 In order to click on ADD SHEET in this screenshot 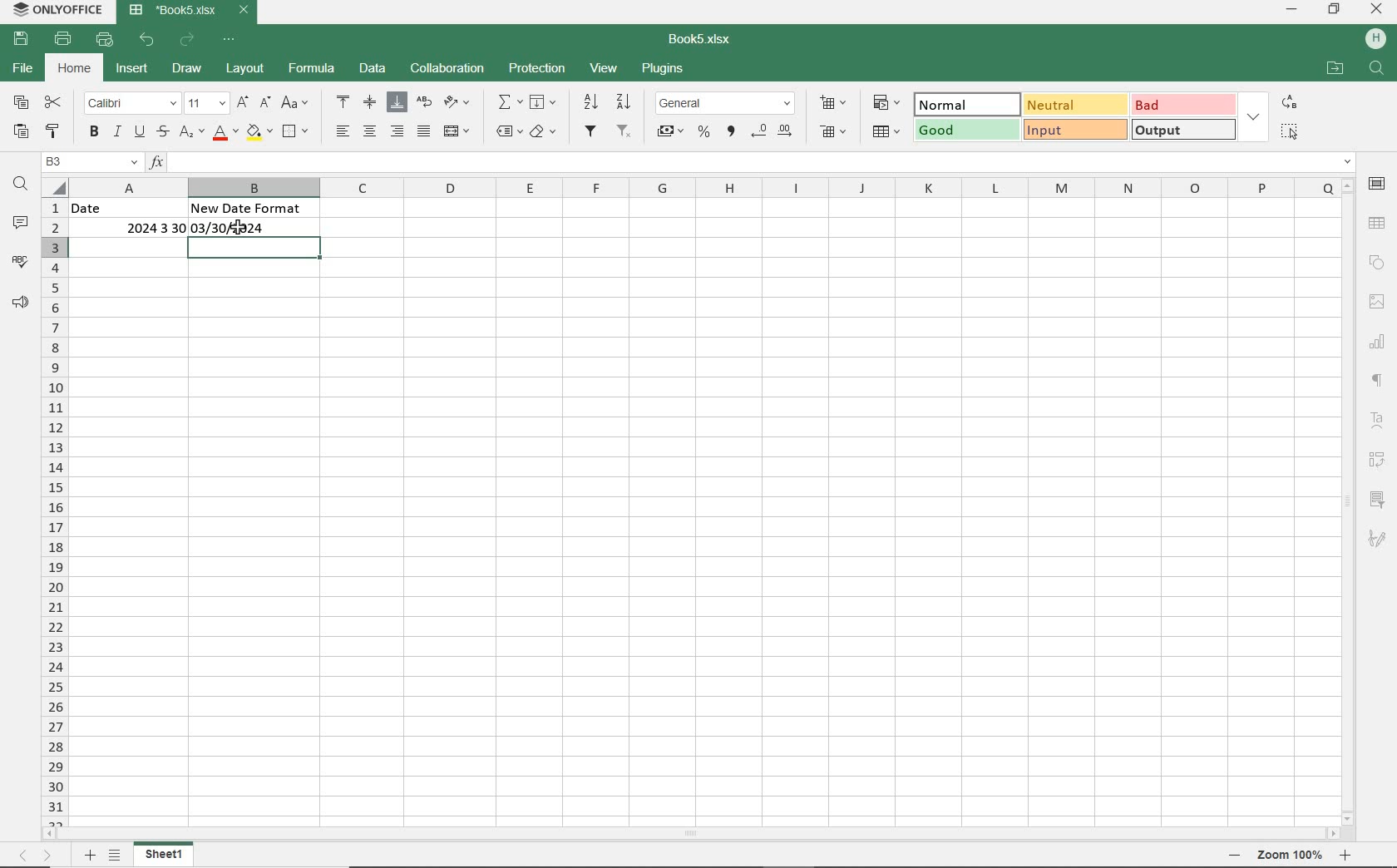, I will do `click(90, 856)`.